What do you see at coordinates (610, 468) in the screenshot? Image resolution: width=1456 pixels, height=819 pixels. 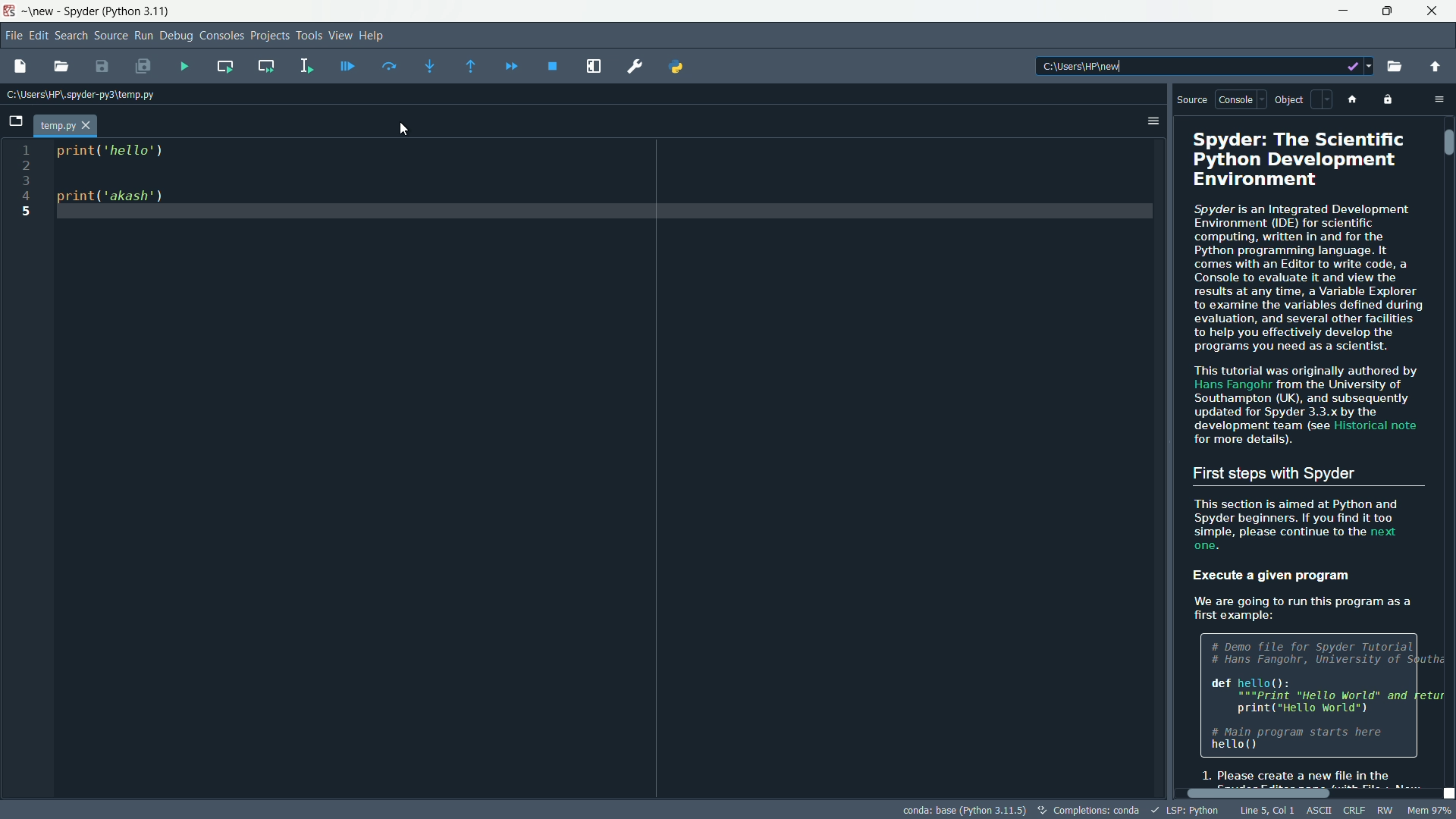 I see `print('hello') print('akash")` at bounding box center [610, 468].